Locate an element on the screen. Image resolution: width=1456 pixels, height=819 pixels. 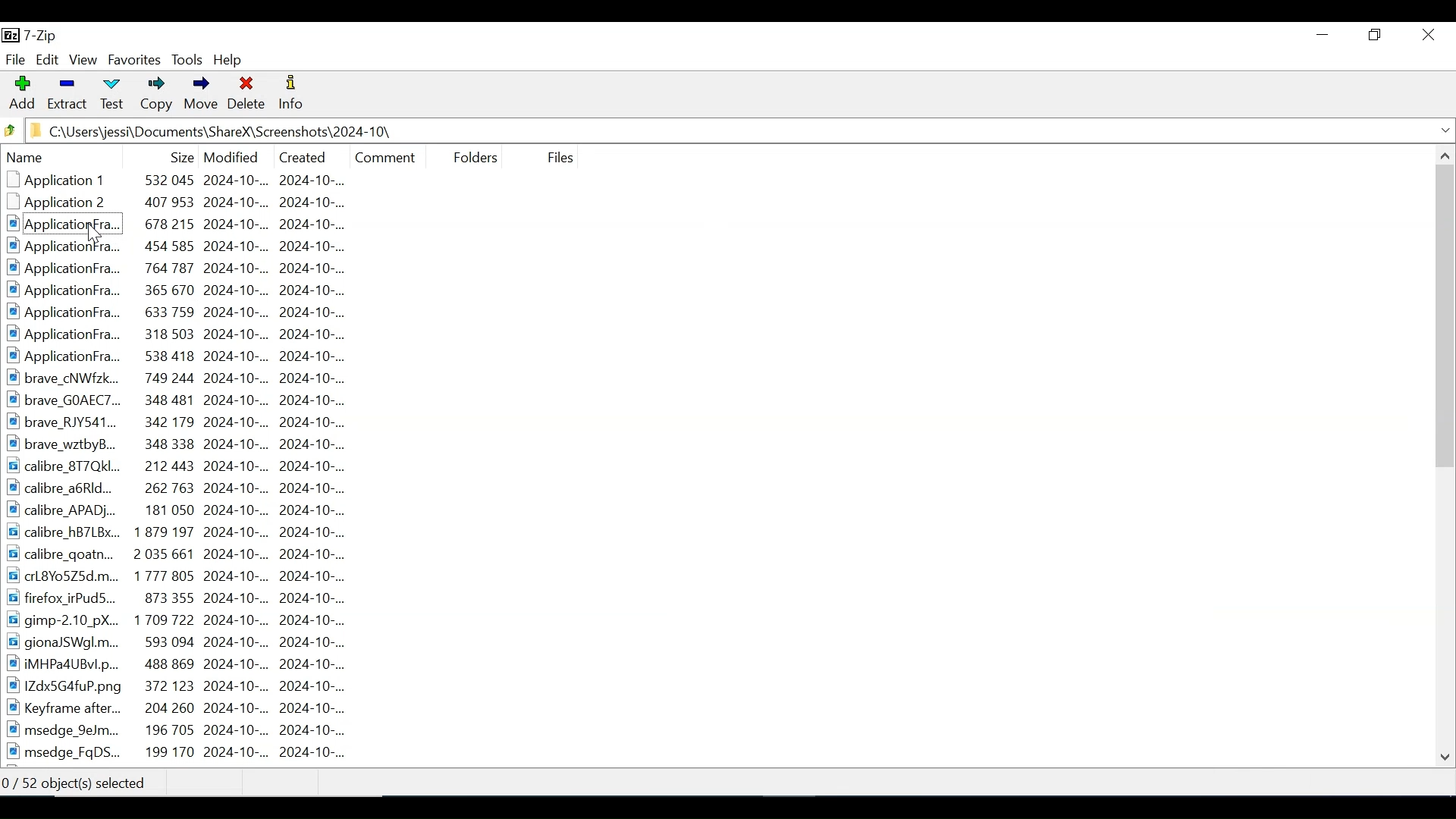
Keyframe after... 204 260 2024-10-.. 2024-10-... is located at coordinates (186, 708).